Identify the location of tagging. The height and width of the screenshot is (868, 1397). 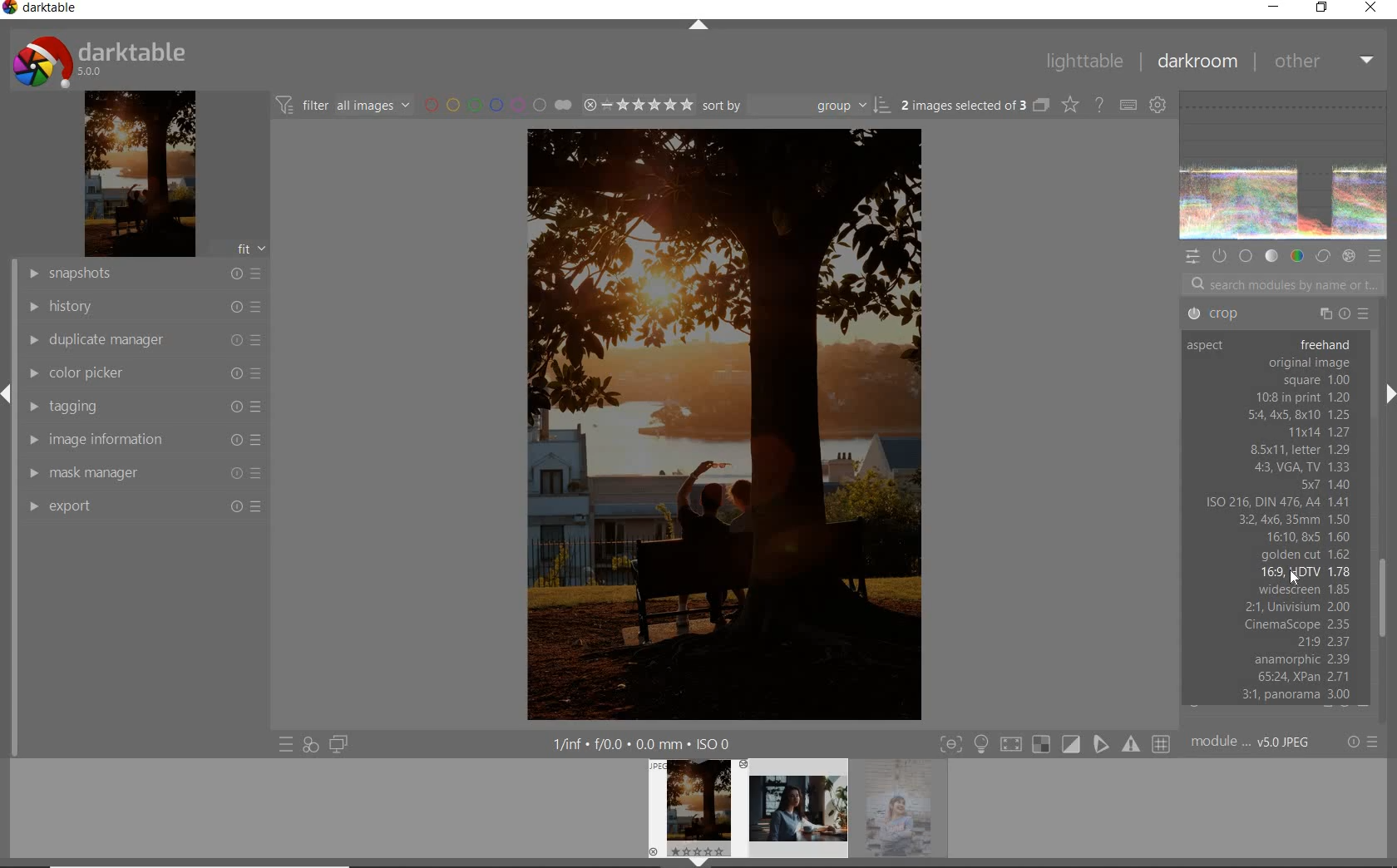
(143, 405).